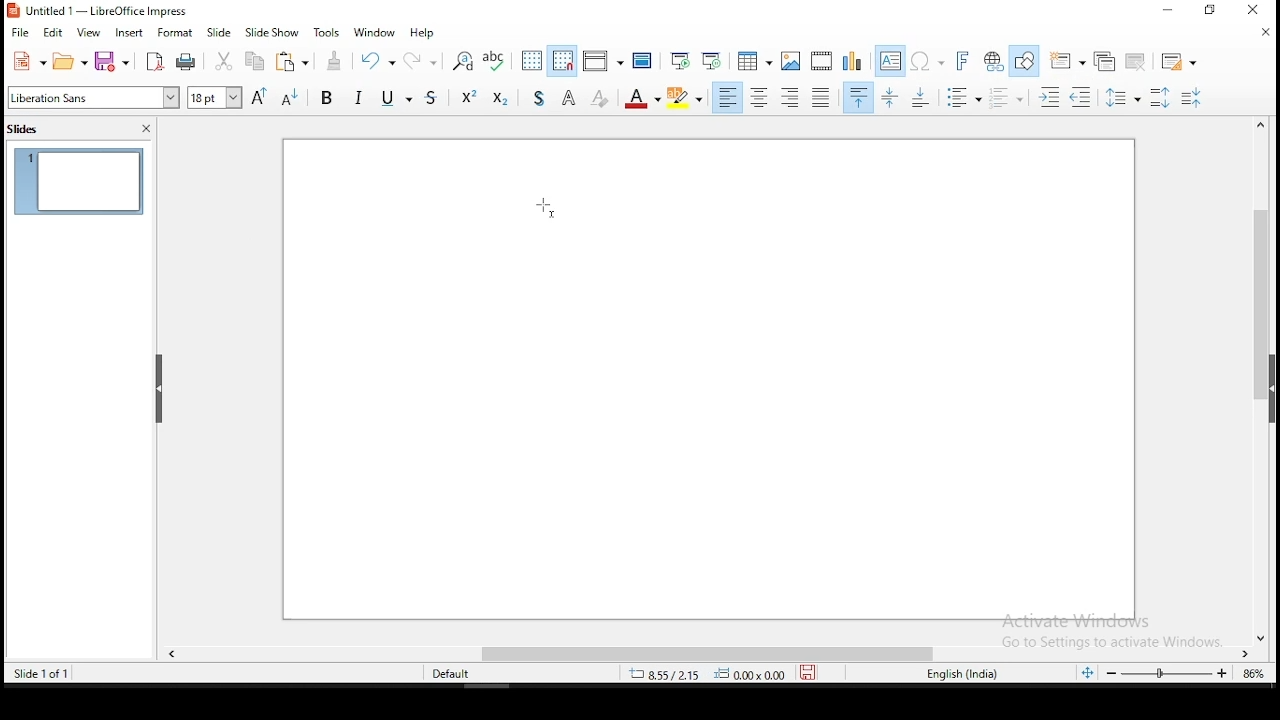 This screenshot has width=1280, height=720. What do you see at coordinates (1180, 60) in the screenshot?
I see ` slide layout` at bounding box center [1180, 60].